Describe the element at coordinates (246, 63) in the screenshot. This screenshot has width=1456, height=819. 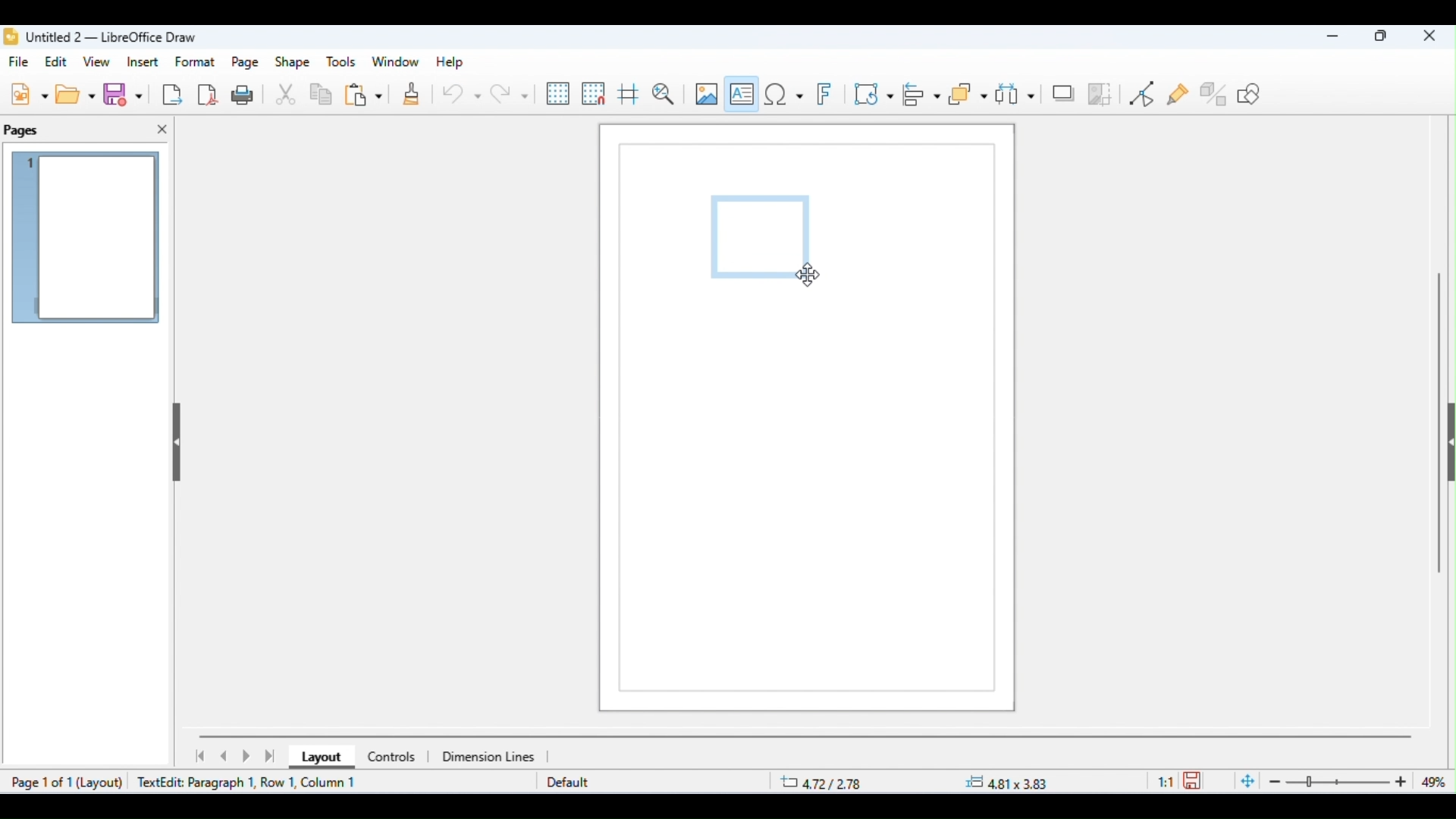
I see `page` at that location.